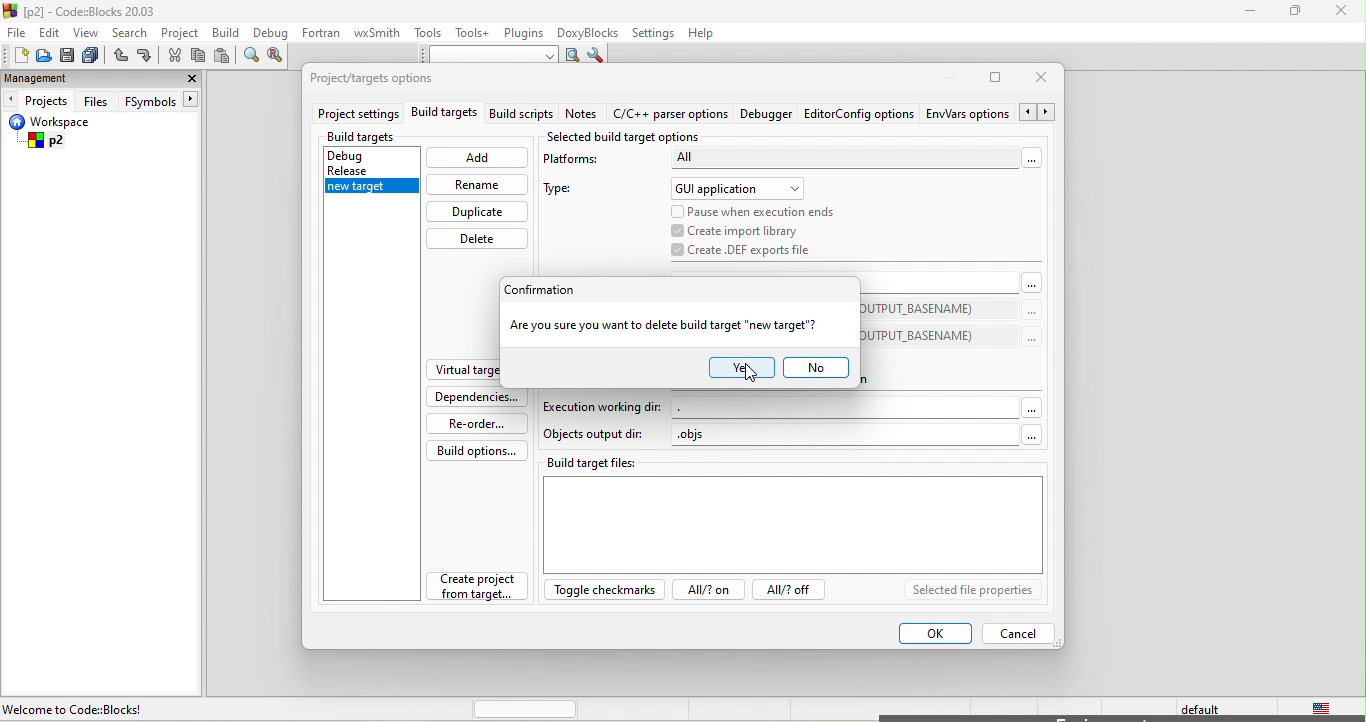 This screenshot has width=1366, height=722. Describe the element at coordinates (933, 632) in the screenshot. I see `ok` at that location.